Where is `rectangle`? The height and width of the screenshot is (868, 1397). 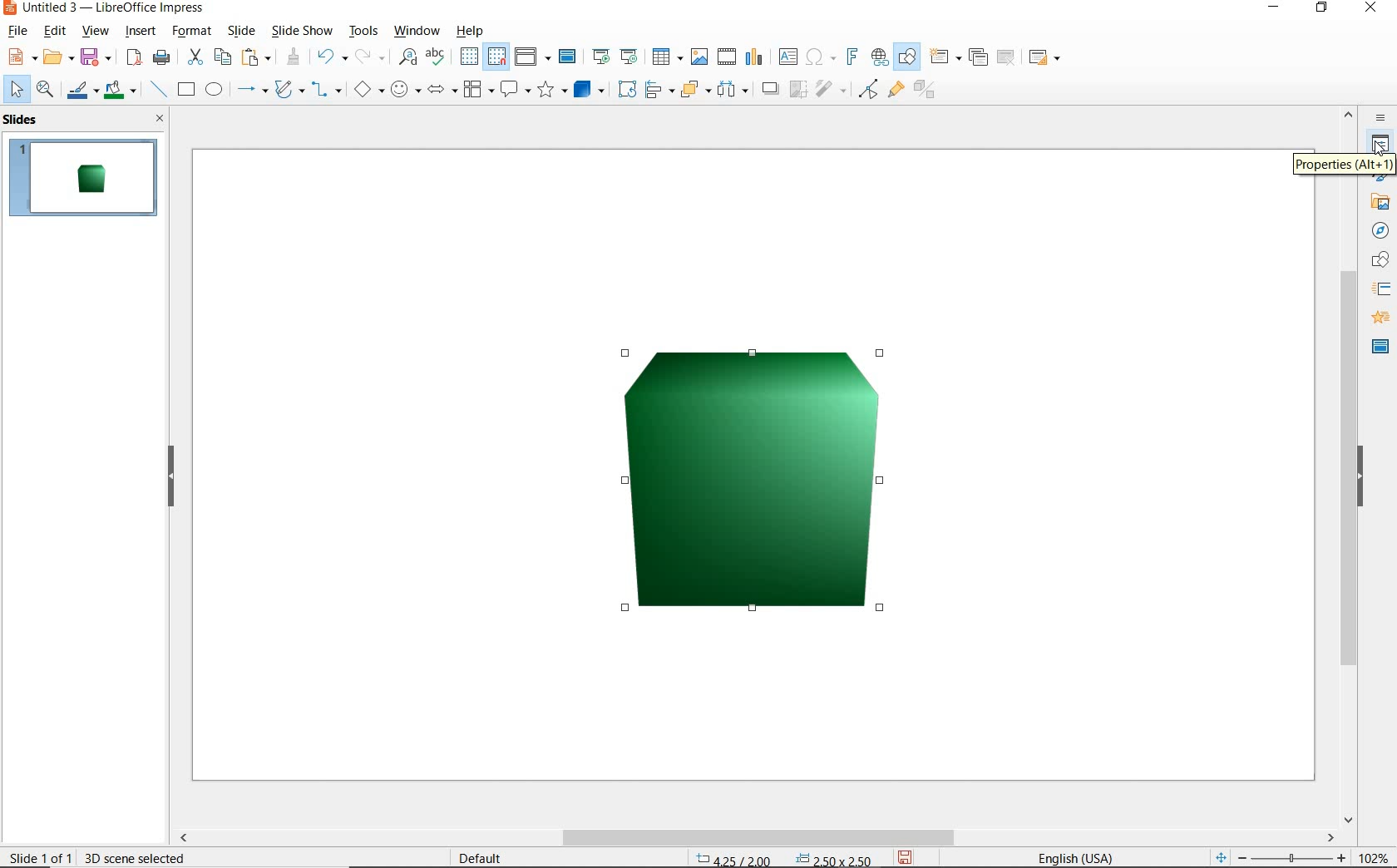
rectangle is located at coordinates (185, 90).